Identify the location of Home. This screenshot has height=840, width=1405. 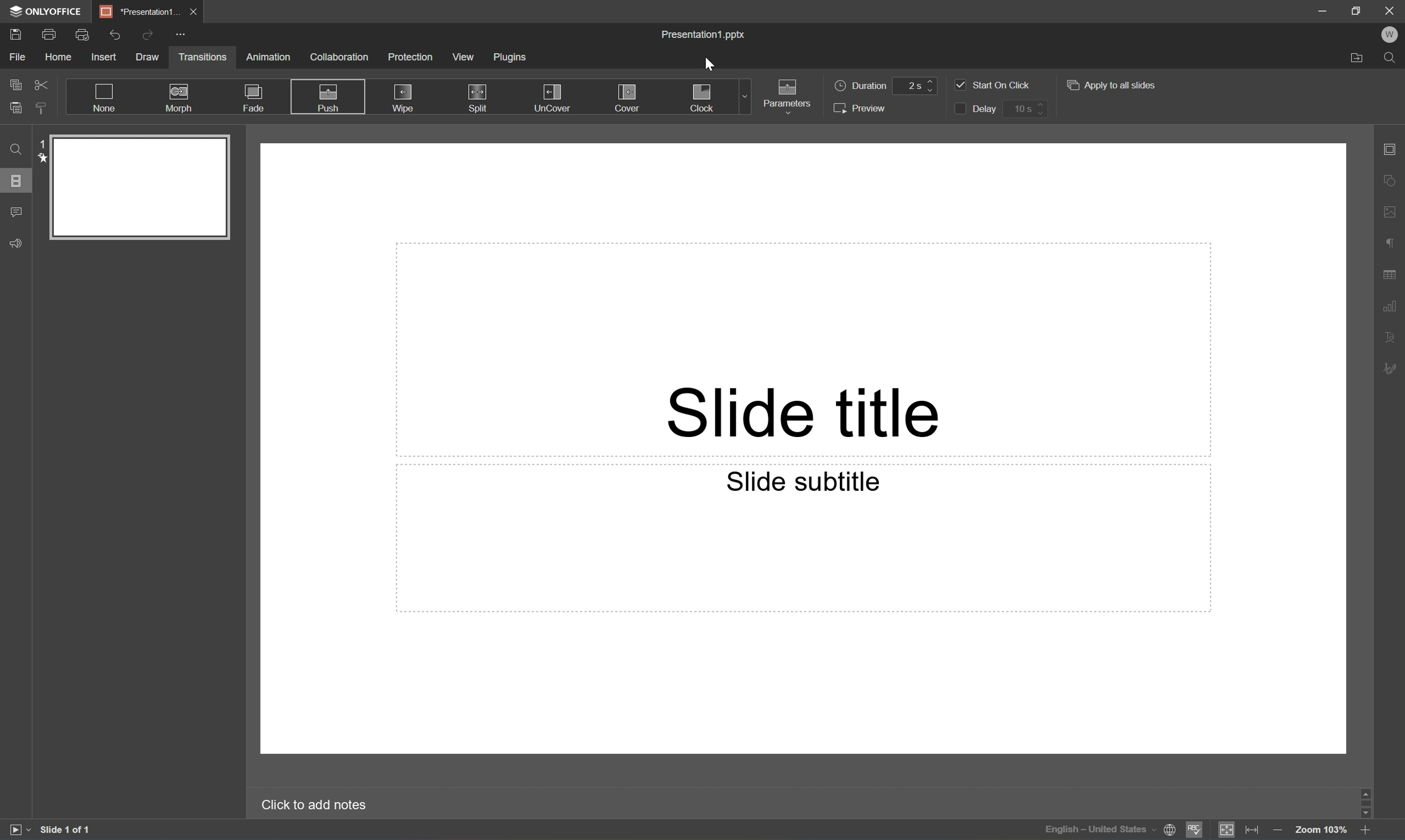
(57, 56).